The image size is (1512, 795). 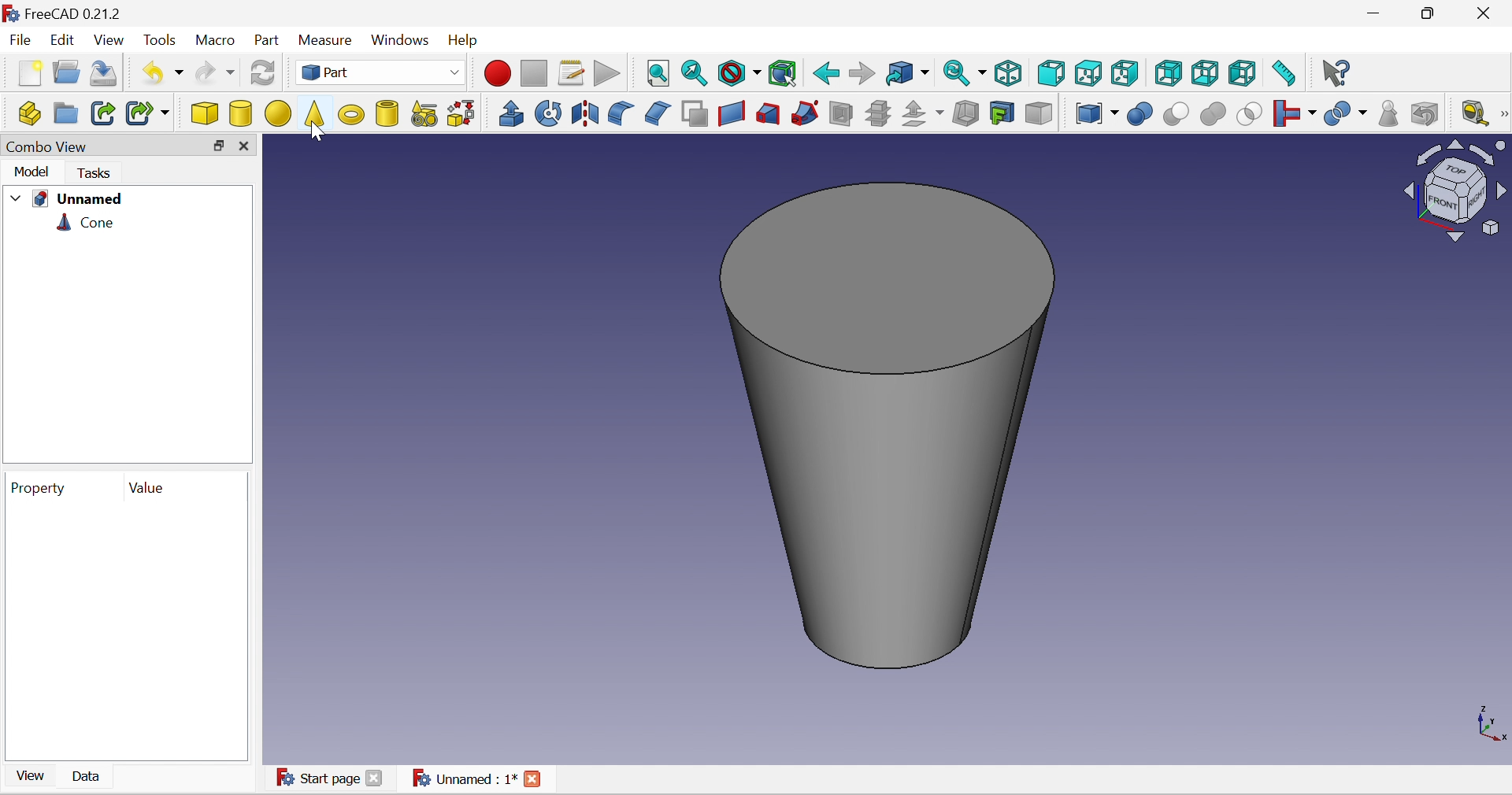 I want to click on Help, so click(x=462, y=41).